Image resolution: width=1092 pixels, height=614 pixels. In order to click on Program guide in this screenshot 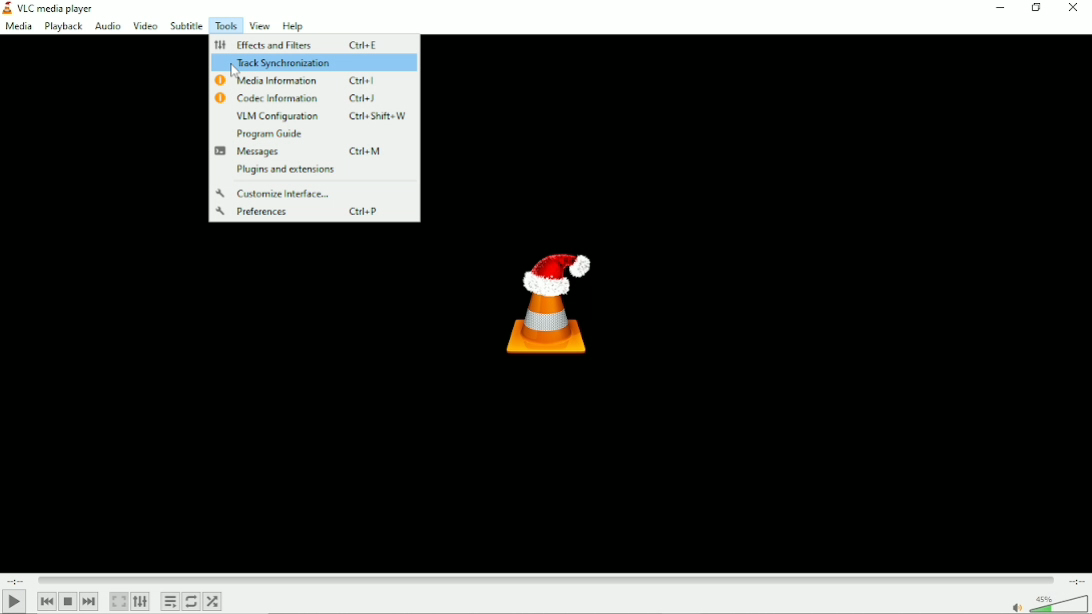, I will do `click(268, 133)`.